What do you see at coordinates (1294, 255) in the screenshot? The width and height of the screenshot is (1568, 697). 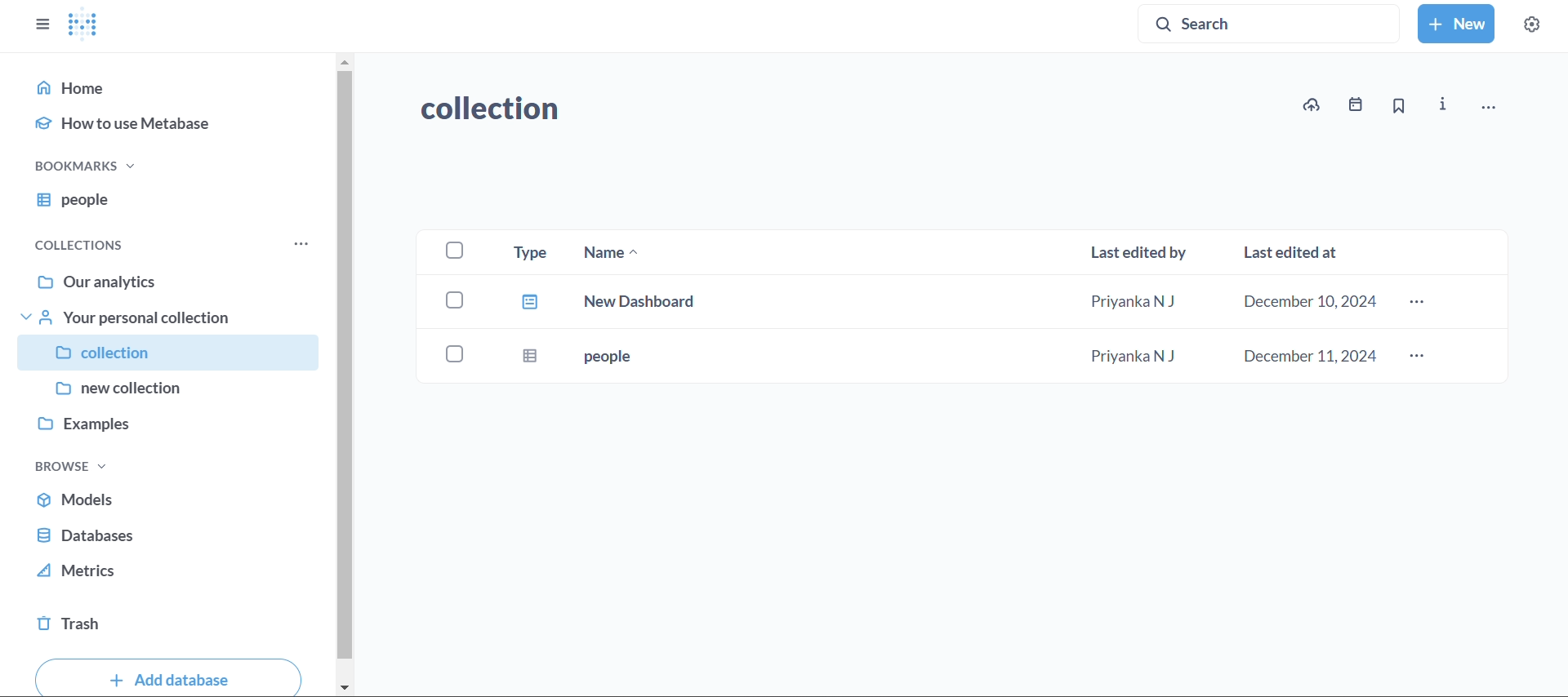 I see `last edited at` at bounding box center [1294, 255].